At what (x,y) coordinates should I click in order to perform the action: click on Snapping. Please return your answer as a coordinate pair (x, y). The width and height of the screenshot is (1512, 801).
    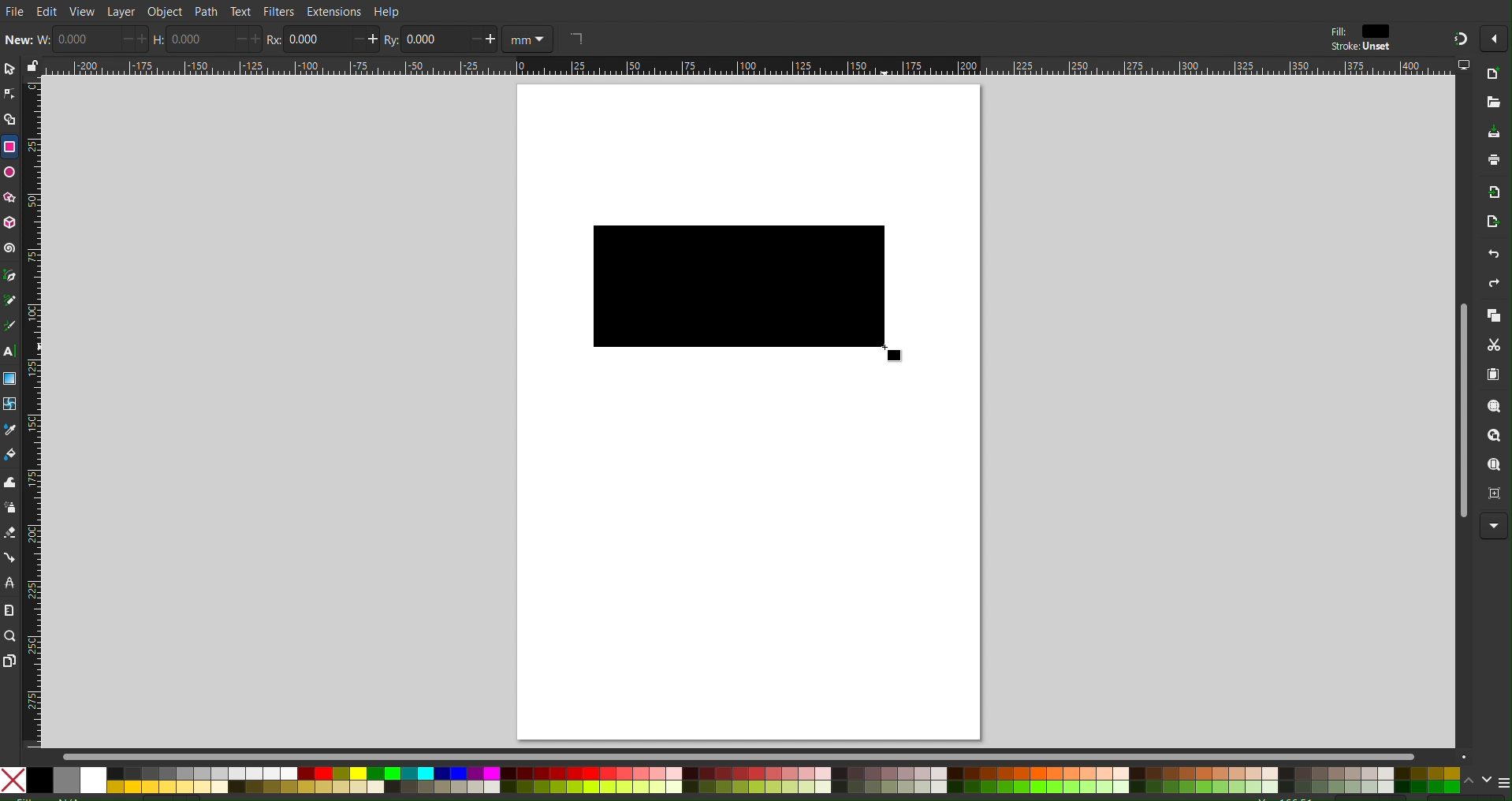
    Looking at the image, I should click on (1458, 36).